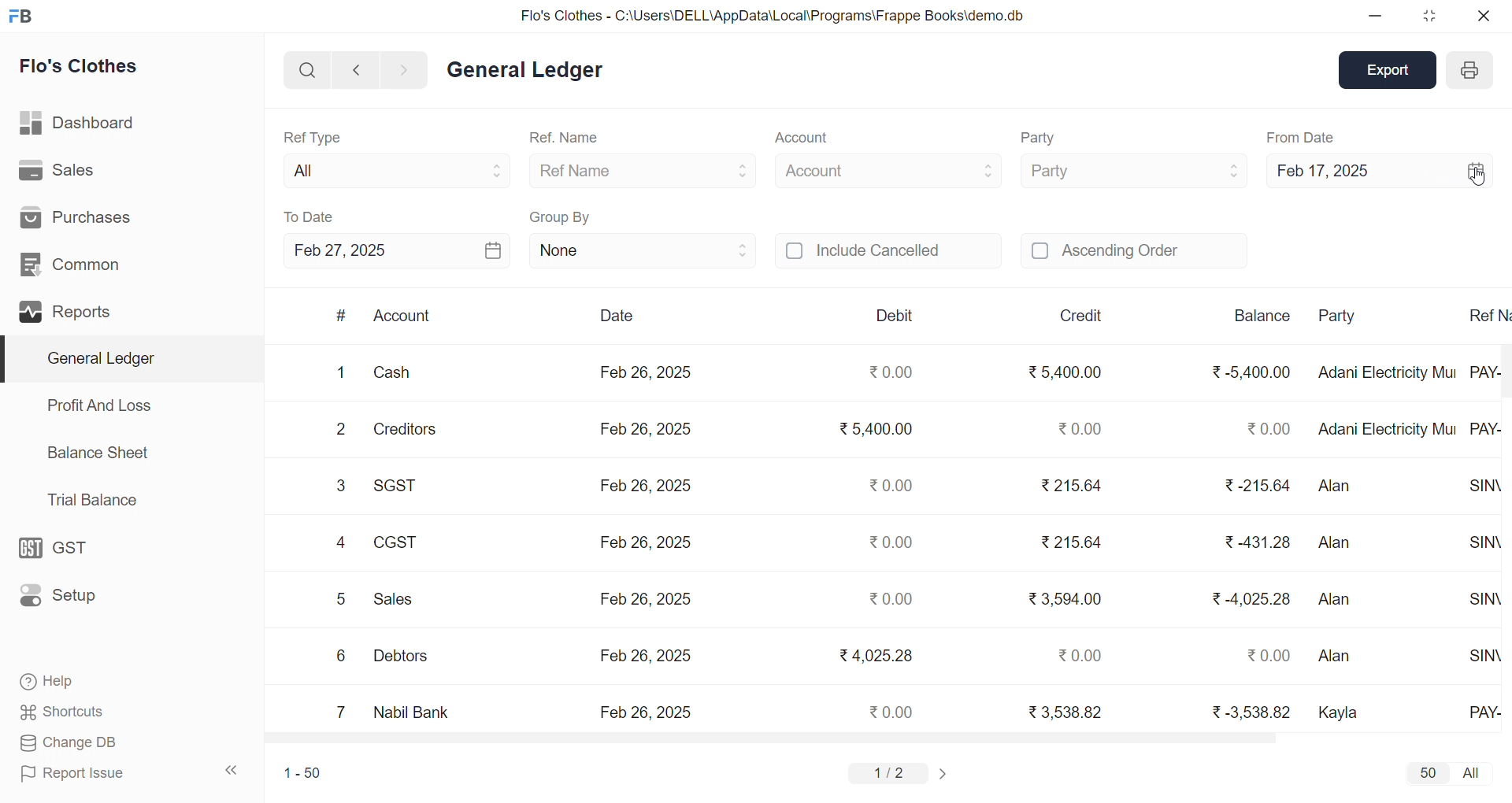  Describe the element at coordinates (646, 712) in the screenshot. I see `Feb 26, 2025` at that location.